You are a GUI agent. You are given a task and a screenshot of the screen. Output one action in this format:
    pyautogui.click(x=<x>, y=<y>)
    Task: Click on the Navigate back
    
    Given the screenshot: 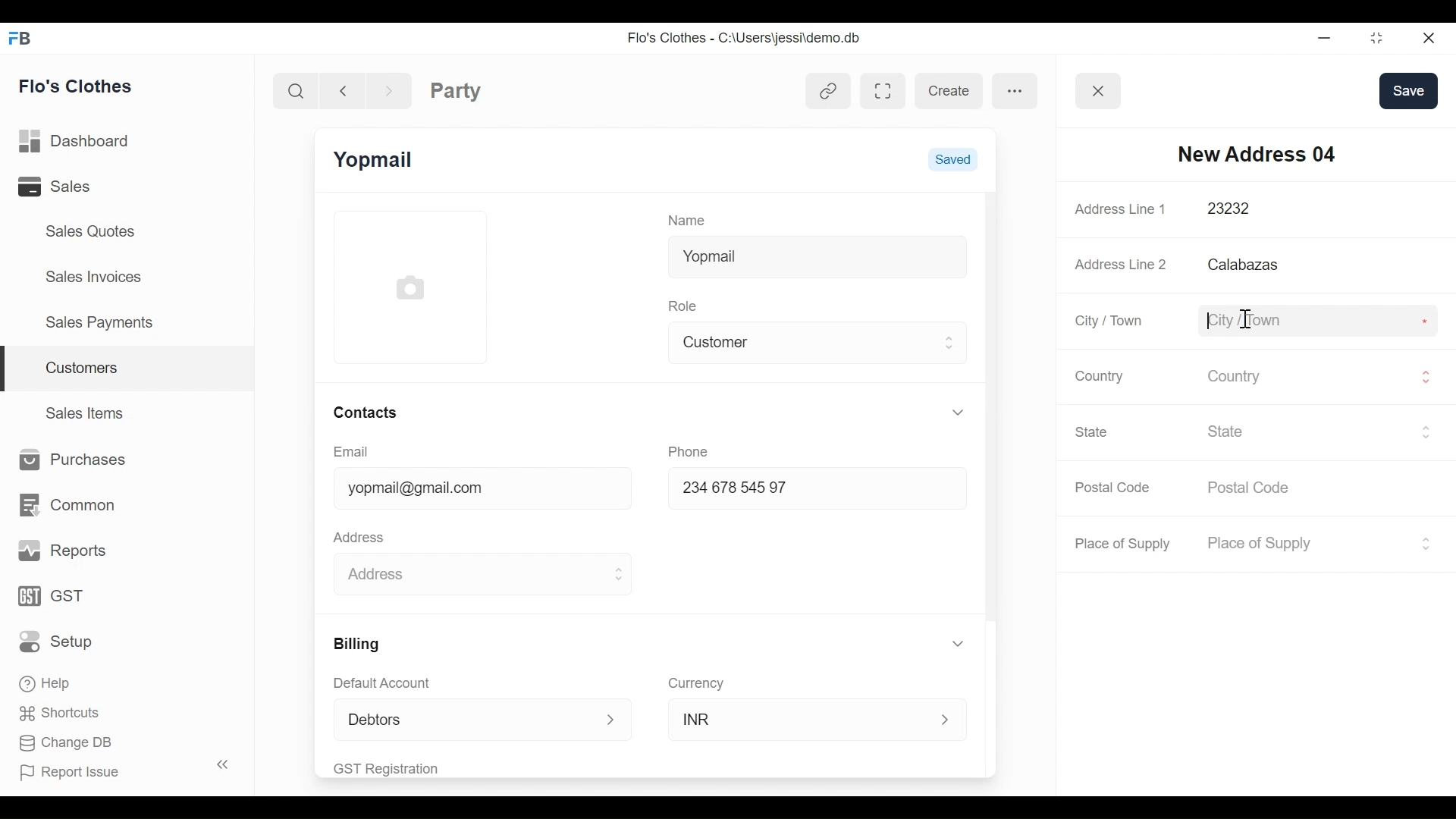 What is the action you would take?
    pyautogui.click(x=341, y=89)
    